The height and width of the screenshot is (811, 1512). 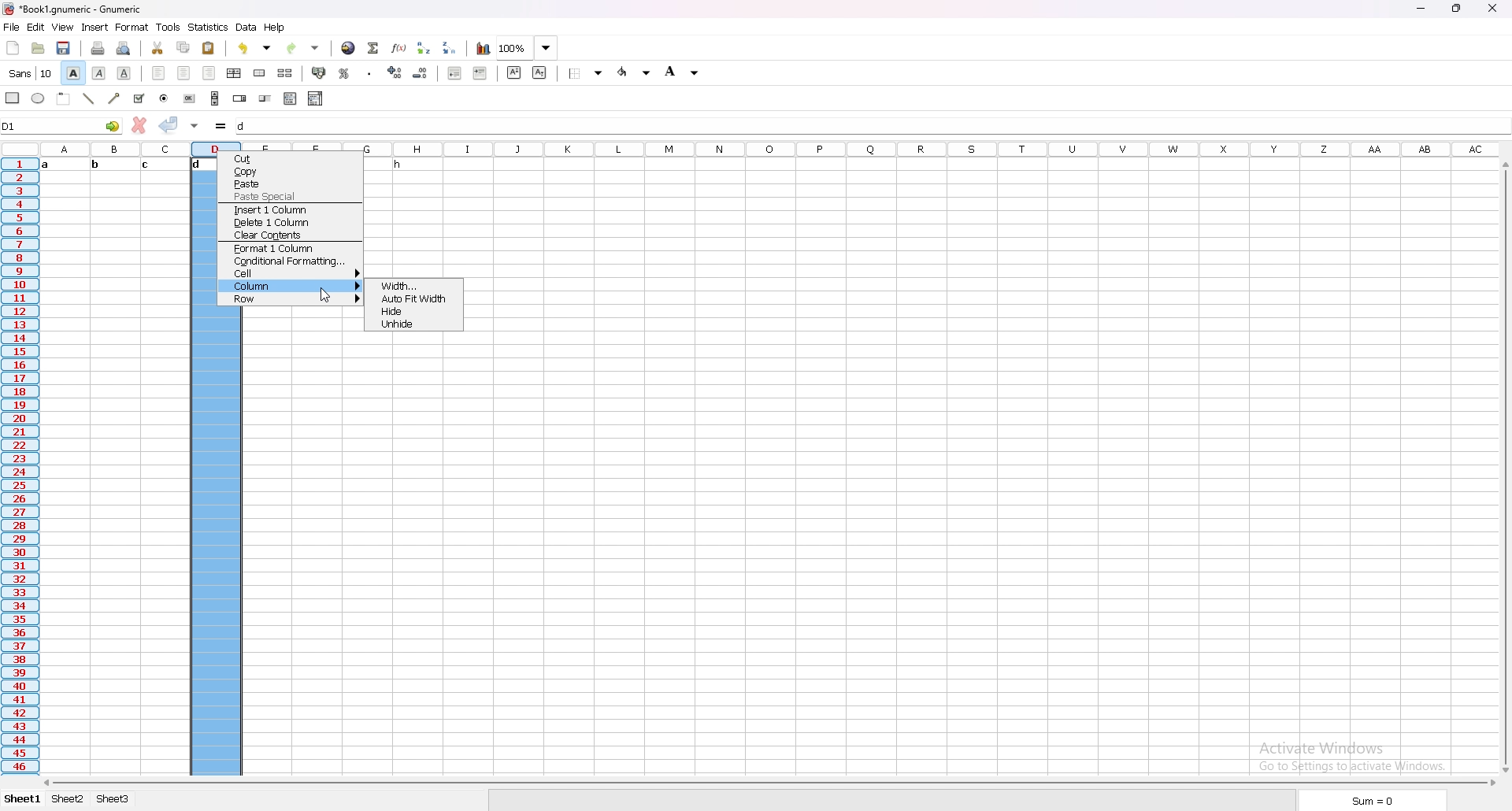 What do you see at coordinates (124, 73) in the screenshot?
I see `underline` at bounding box center [124, 73].